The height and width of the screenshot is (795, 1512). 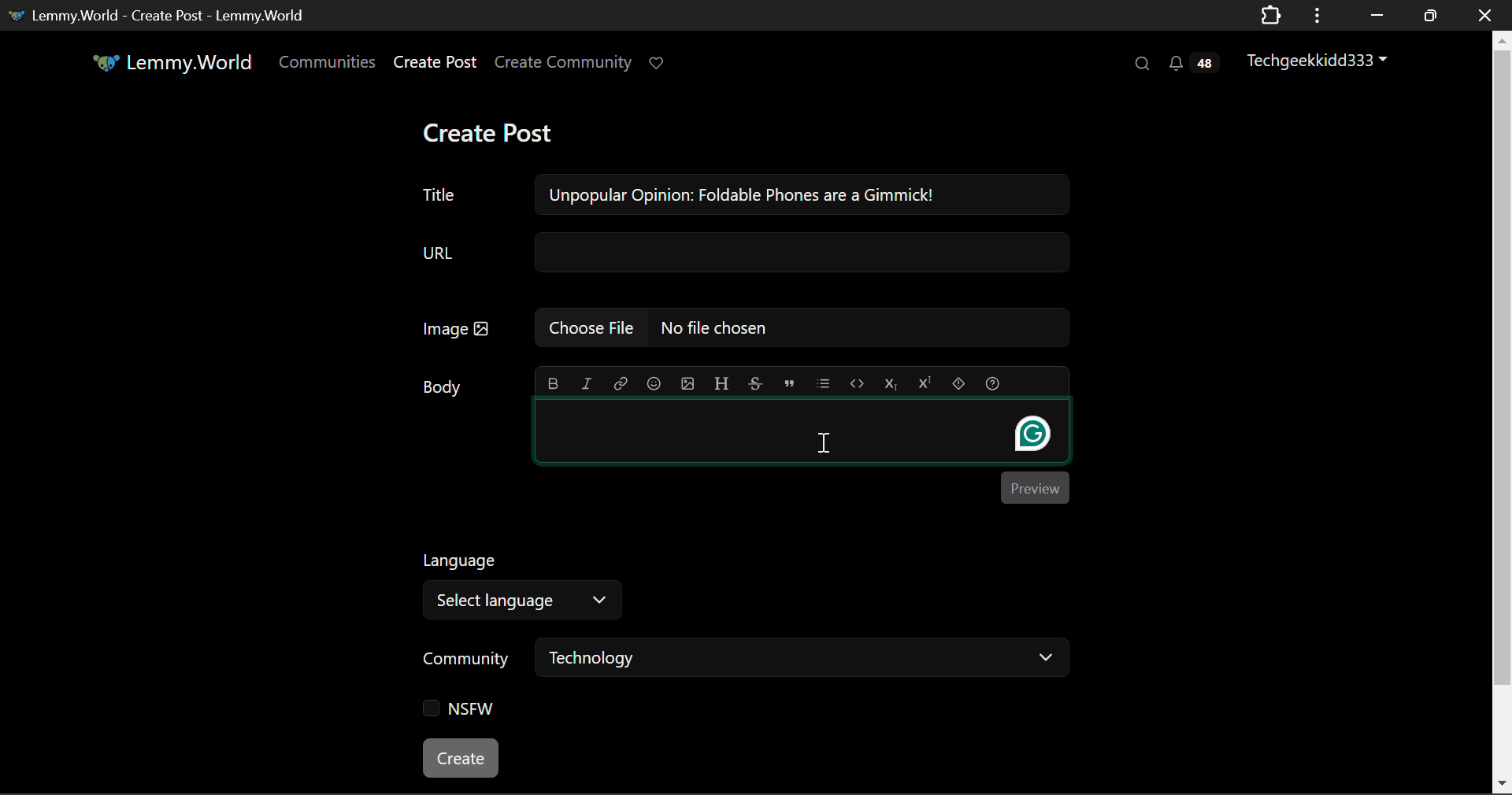 What do you see at coordinates (328, 65) in the screenshot?
I see `Communities` at bounding box center [328, 65].